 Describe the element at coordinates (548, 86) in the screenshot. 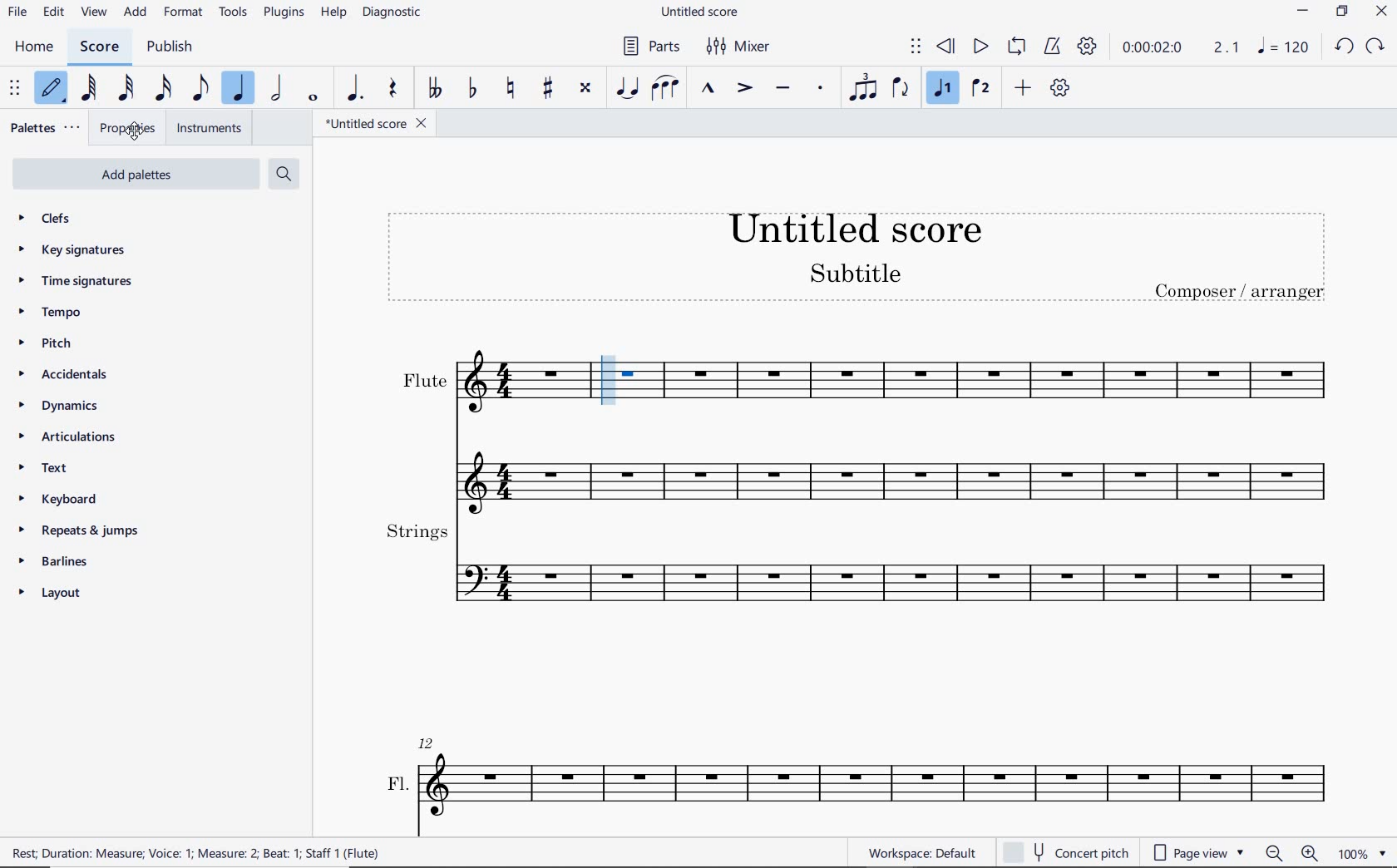

I see `TOGGLE SHARP` at that location.